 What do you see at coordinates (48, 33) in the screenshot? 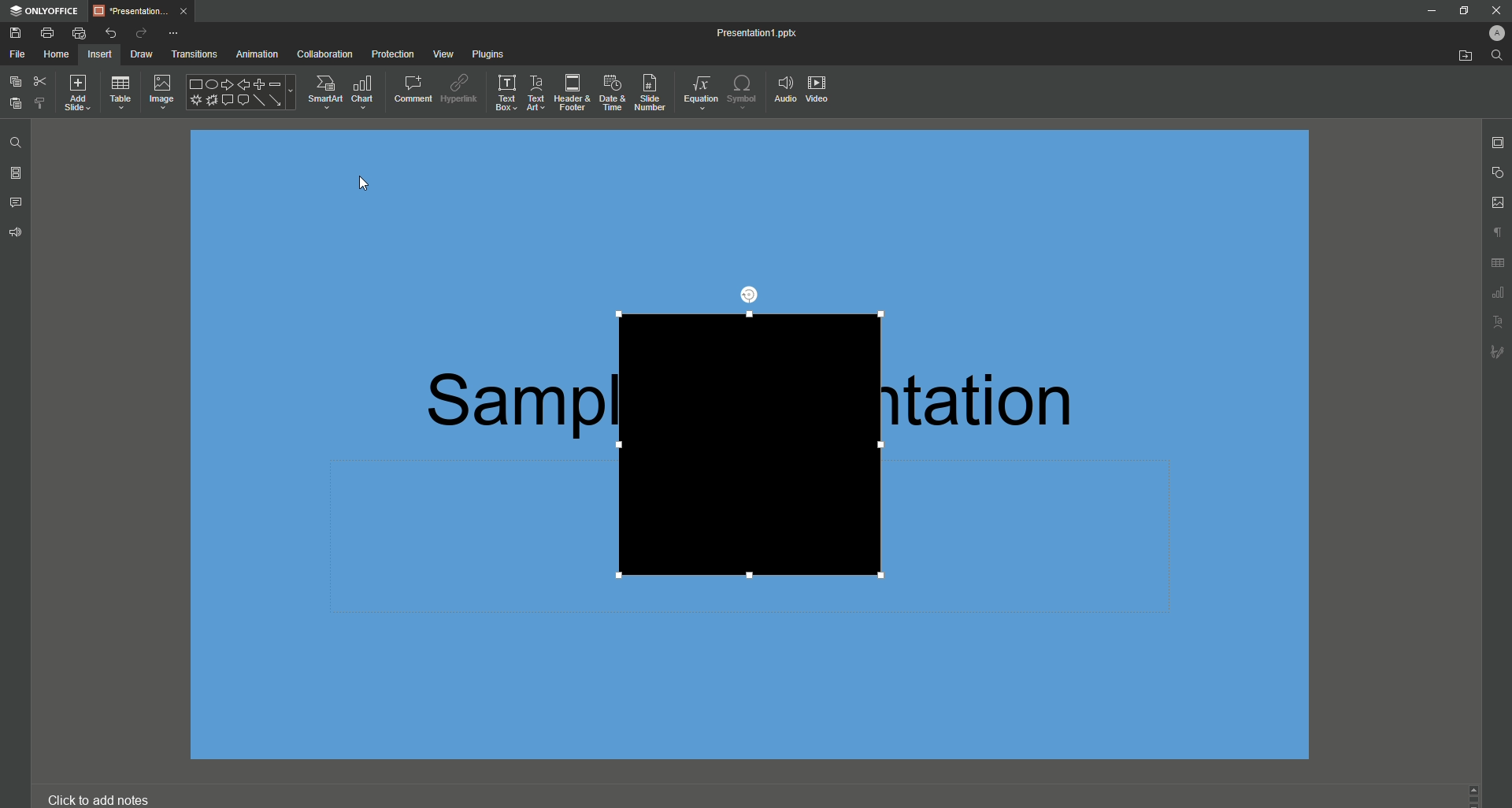
I see `Print` at bounding box center [48, 33].